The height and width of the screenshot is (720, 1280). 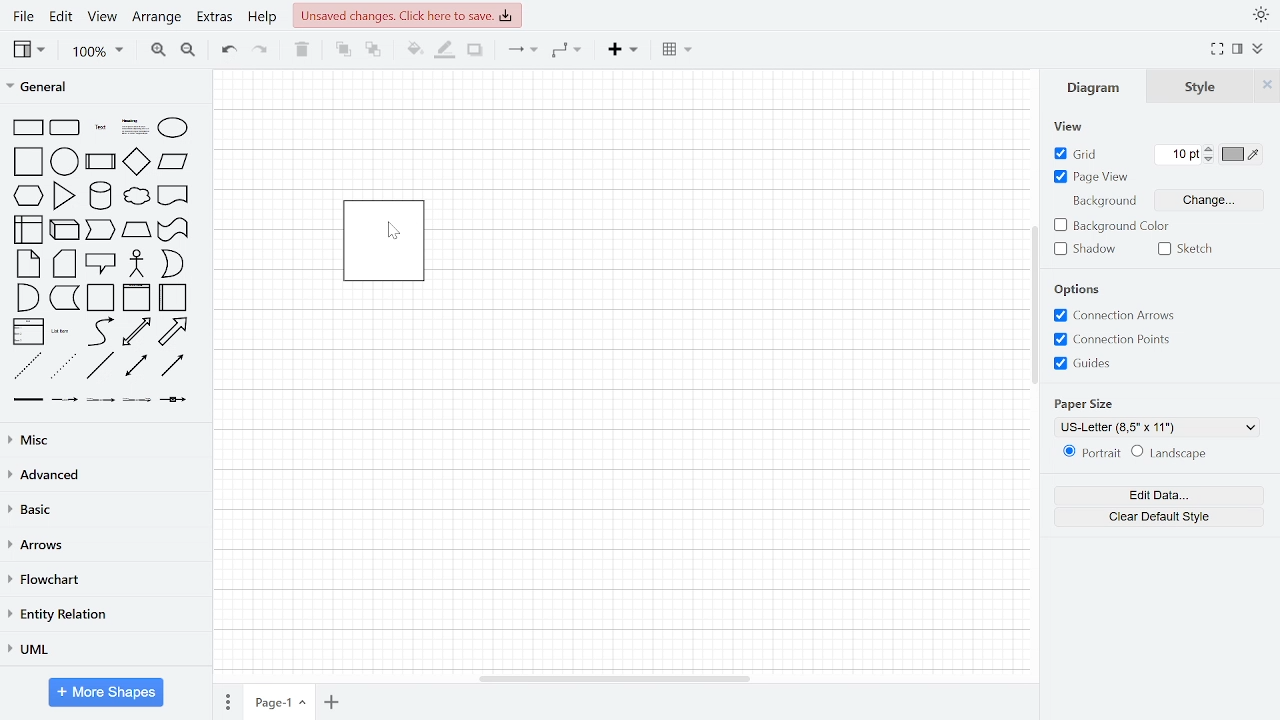 I want to click on connector, so click(x=523, y=50).